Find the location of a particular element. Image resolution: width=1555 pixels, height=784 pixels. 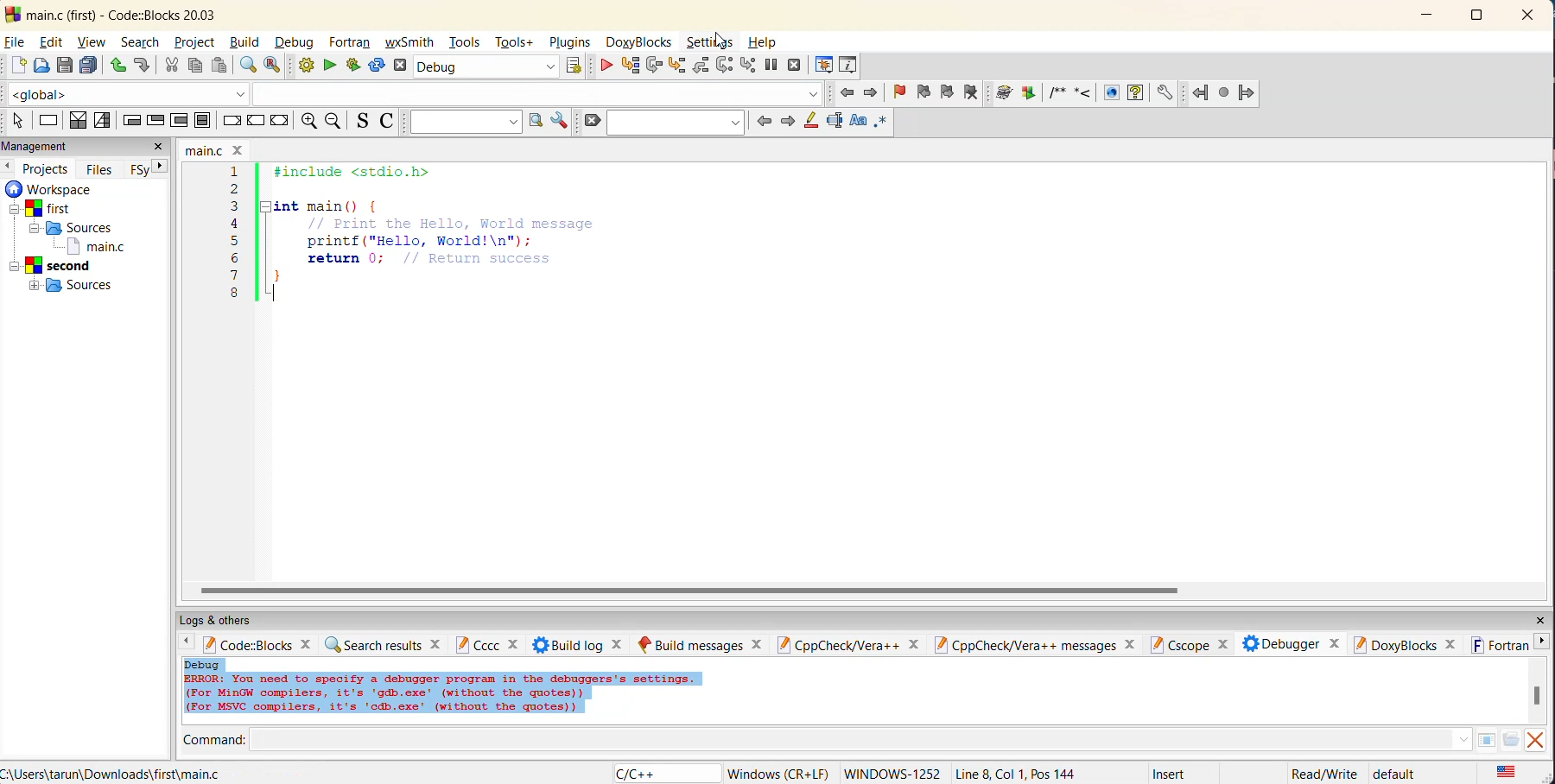

step into instruction is located at coordinates (748, 66).